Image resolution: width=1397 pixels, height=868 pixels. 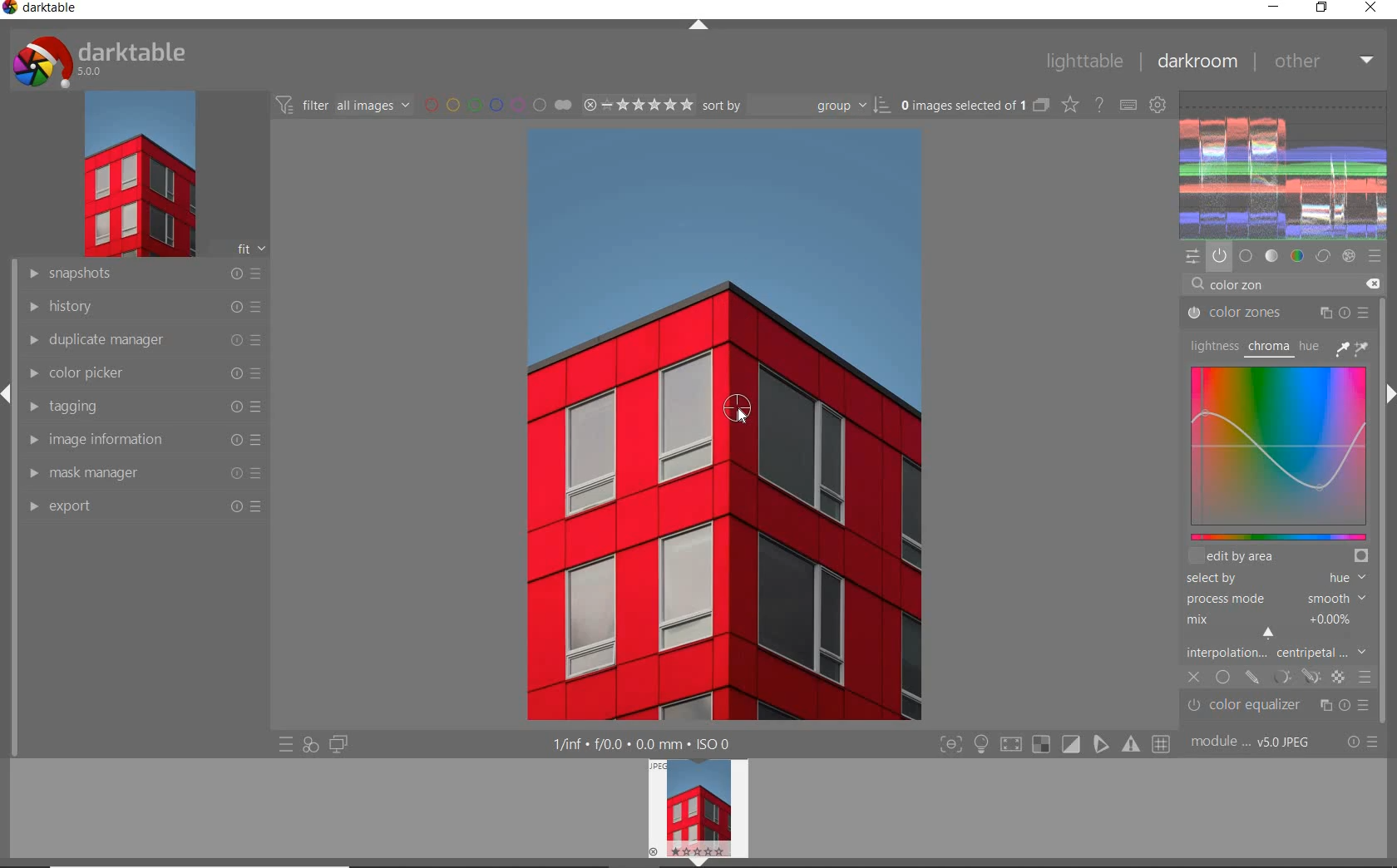 What do you see at coordinates (497, 105) in the screenshot?
I see `filter by image color label` at bounding box center [497, 105].